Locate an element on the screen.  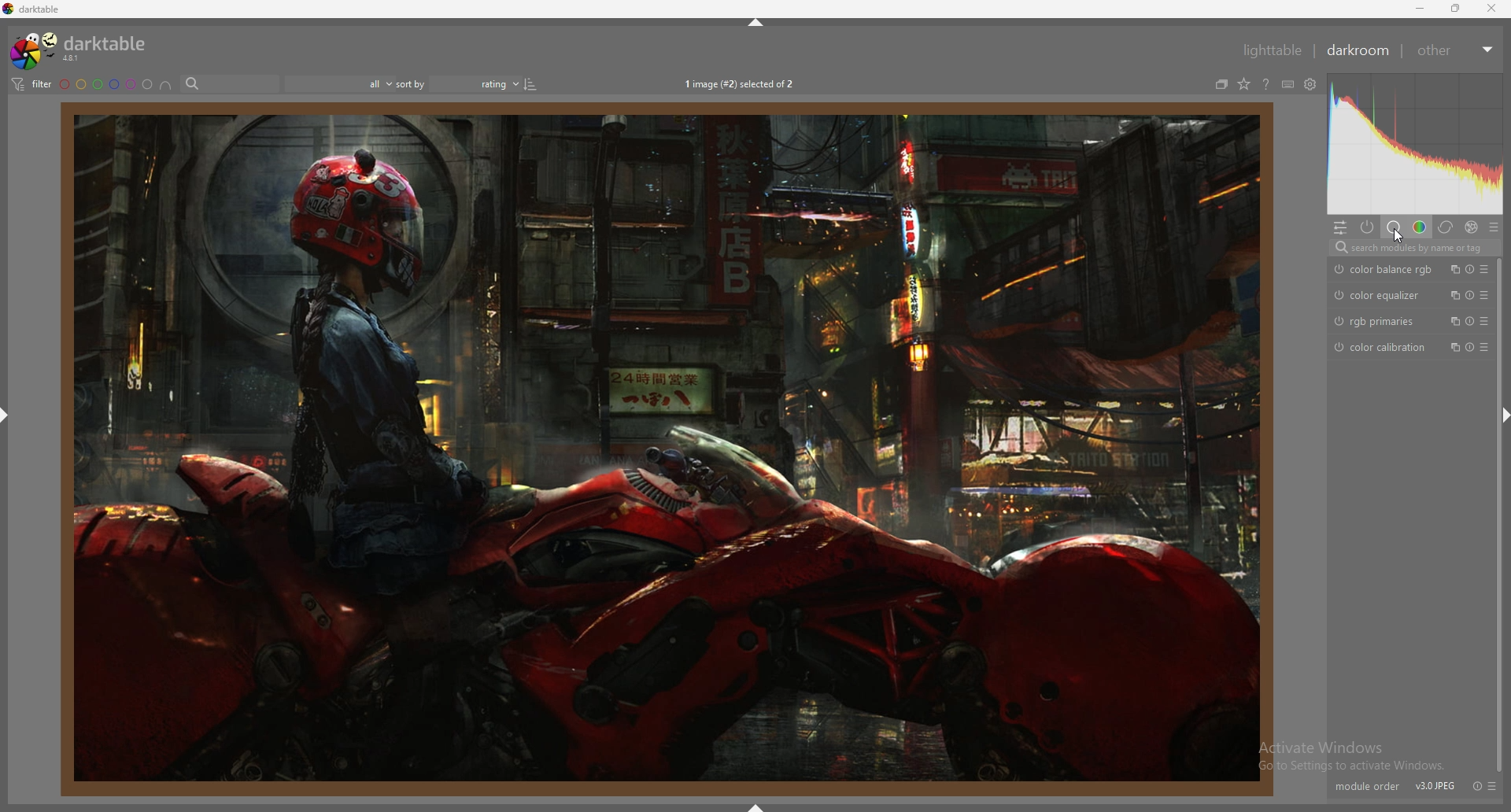
multiple instances action is located at coordinates (1454, 348).